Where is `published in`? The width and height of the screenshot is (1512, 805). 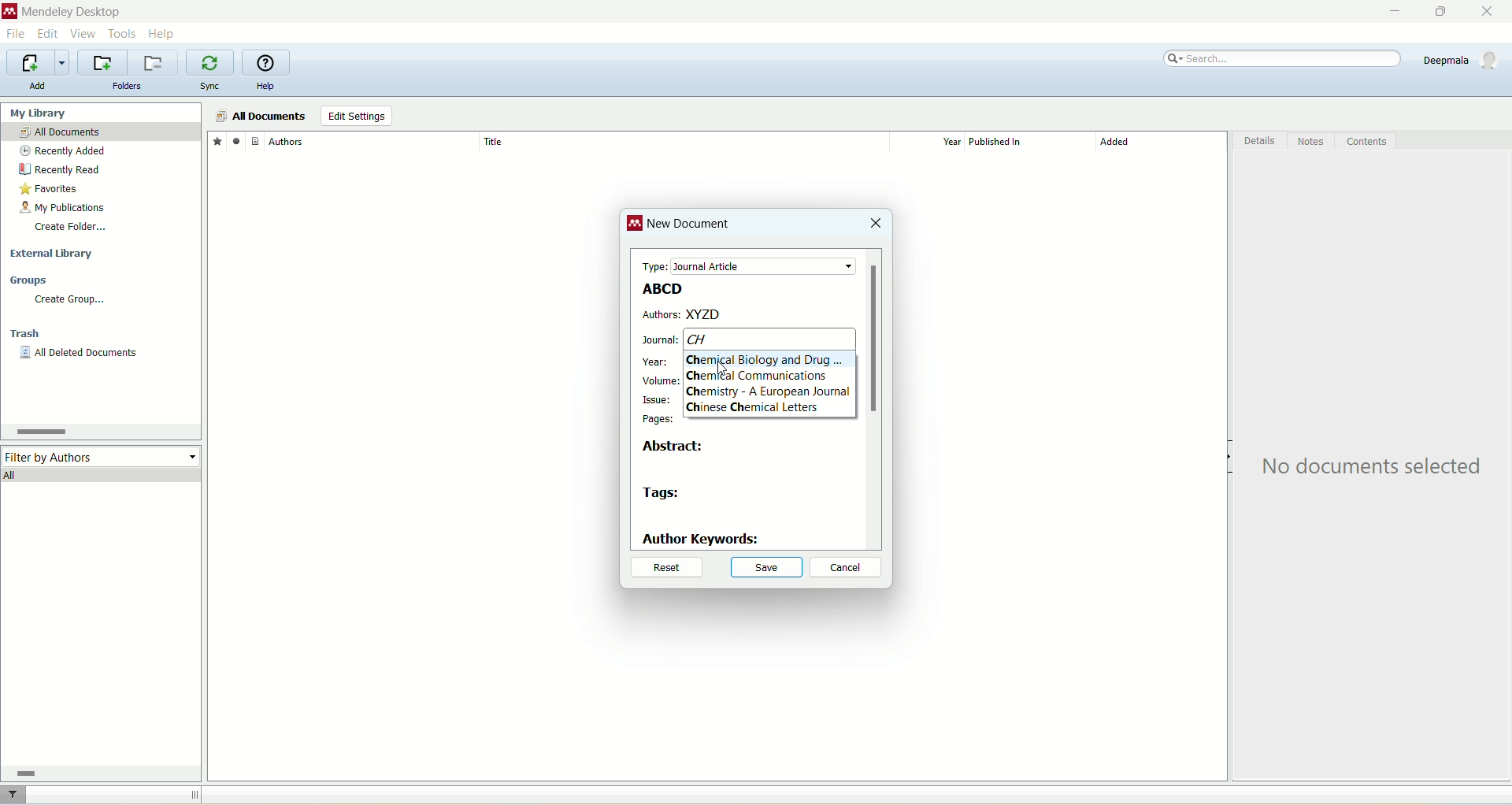
published in is located at coordinates (1024, 142).